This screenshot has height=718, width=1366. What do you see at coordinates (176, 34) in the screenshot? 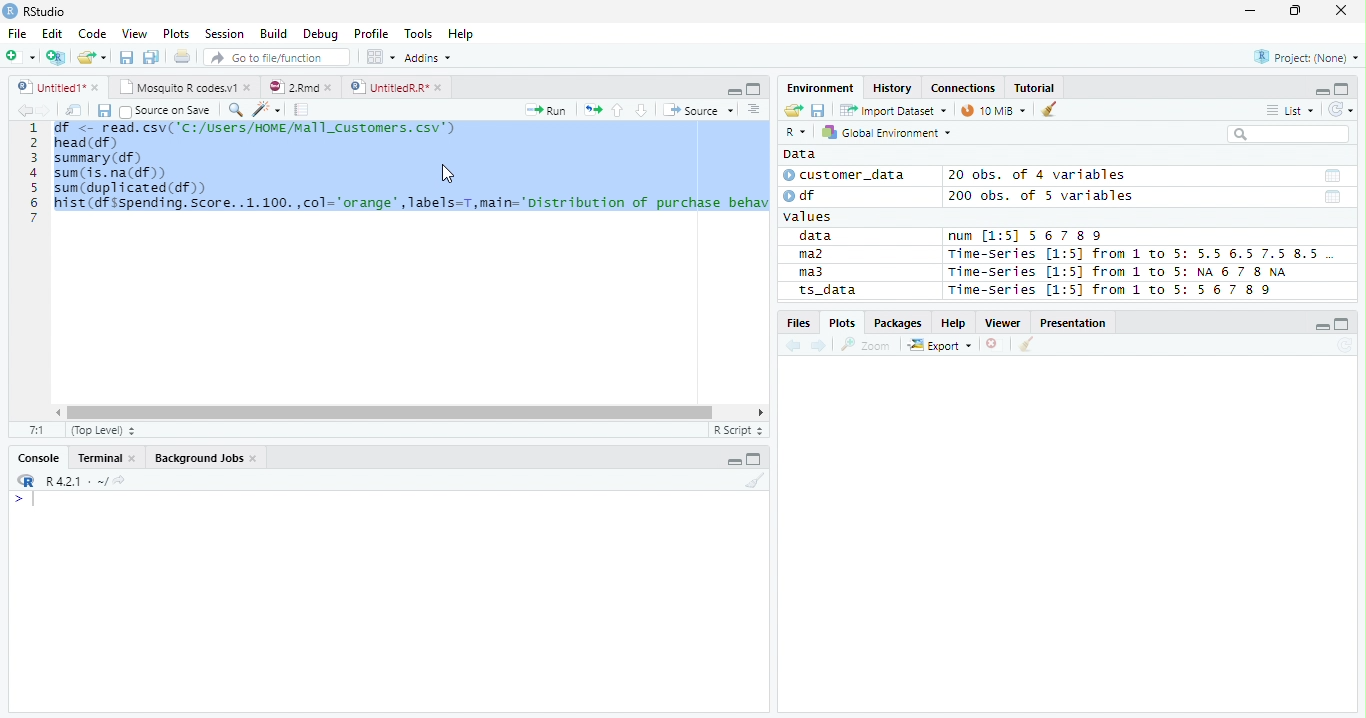
I see `Plots` at bounding box center [176, 34].